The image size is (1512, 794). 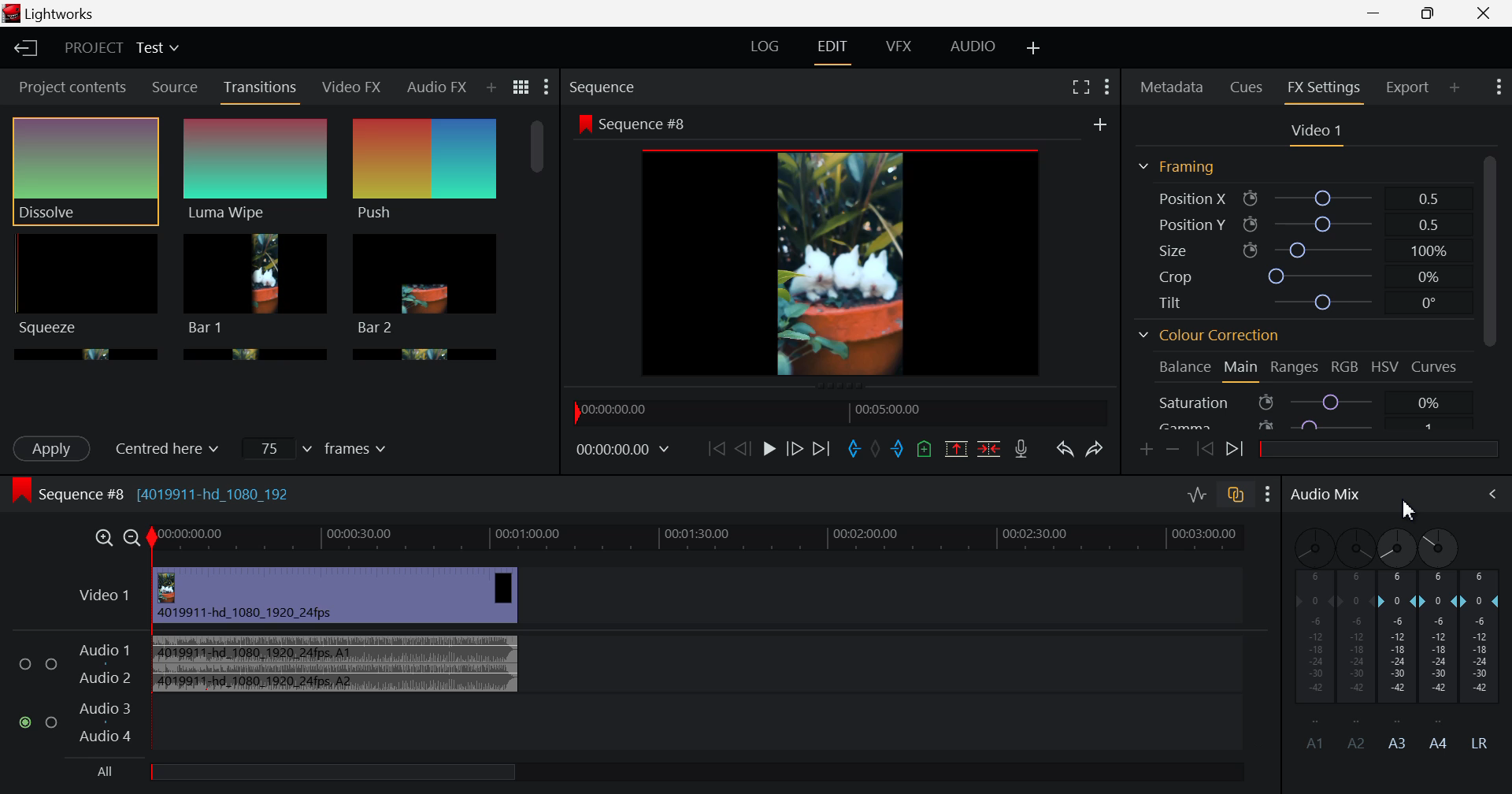 I want to click on Position Y, so click(x=1301, y=221).